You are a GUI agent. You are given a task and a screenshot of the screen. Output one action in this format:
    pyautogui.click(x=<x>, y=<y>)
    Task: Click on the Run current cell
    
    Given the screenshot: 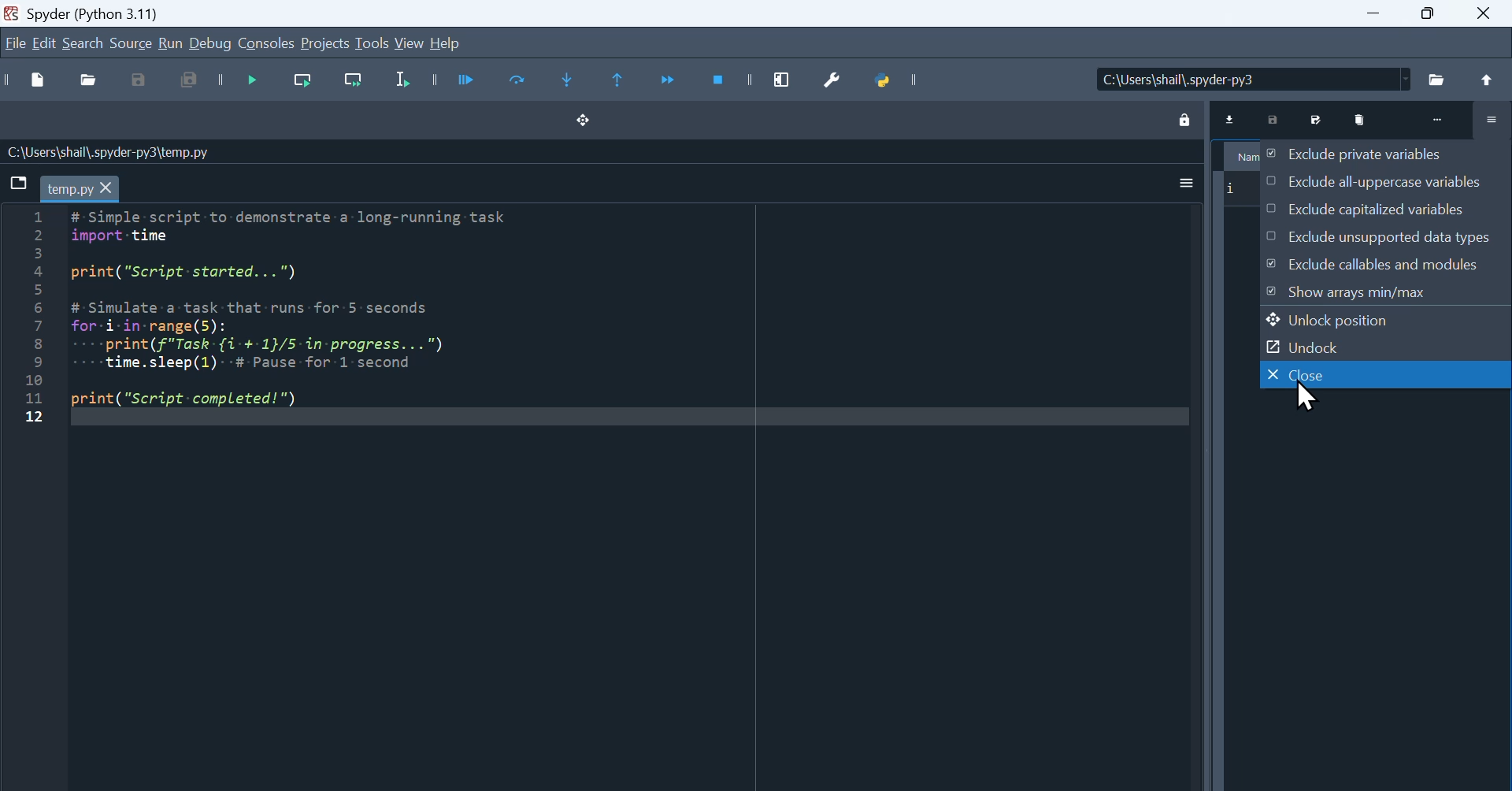 What is the action you would take?
    pyautogui.click(x=519, y=83)
    